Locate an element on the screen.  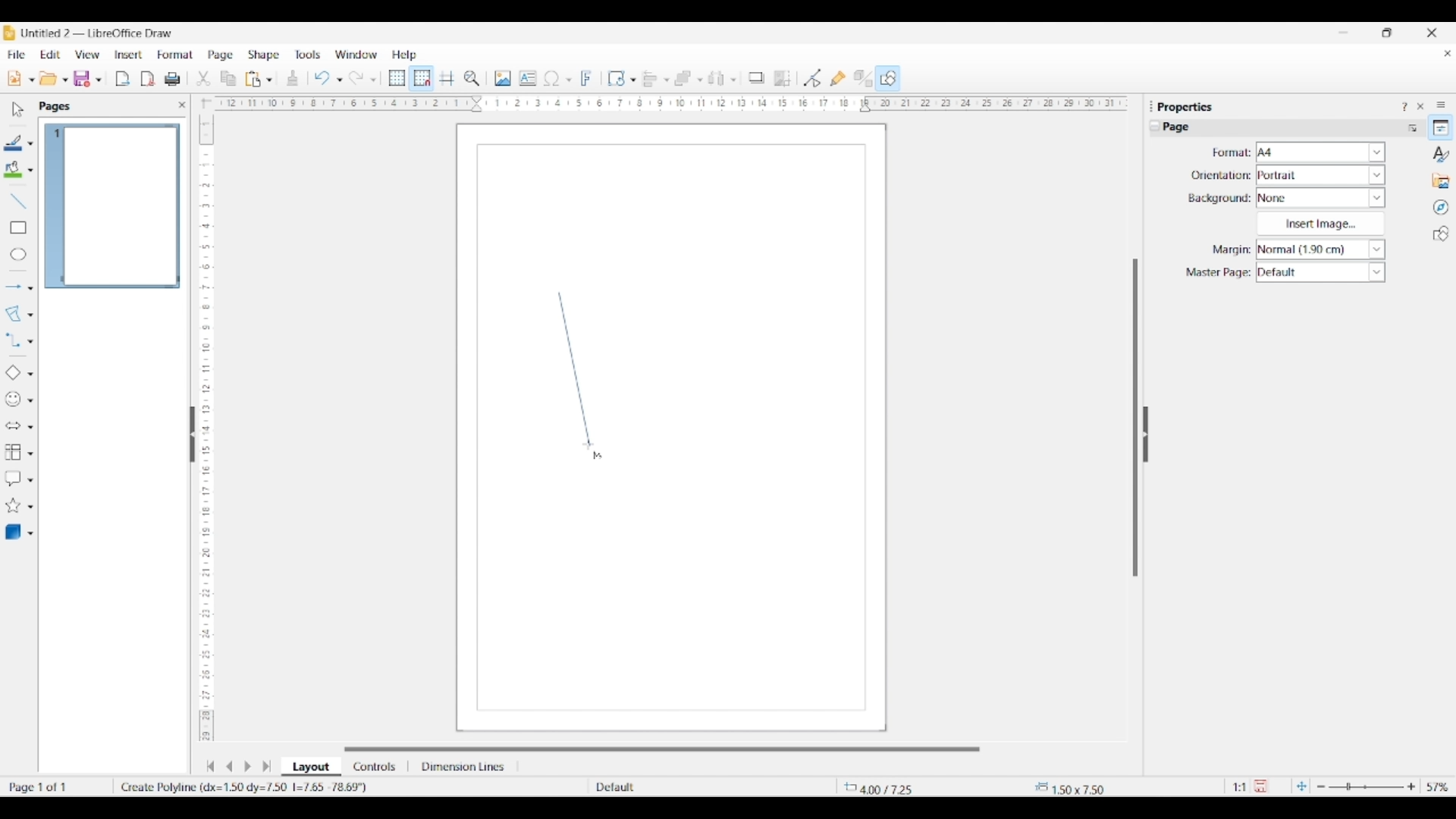
Insert line is located at coordinates (17, 200).